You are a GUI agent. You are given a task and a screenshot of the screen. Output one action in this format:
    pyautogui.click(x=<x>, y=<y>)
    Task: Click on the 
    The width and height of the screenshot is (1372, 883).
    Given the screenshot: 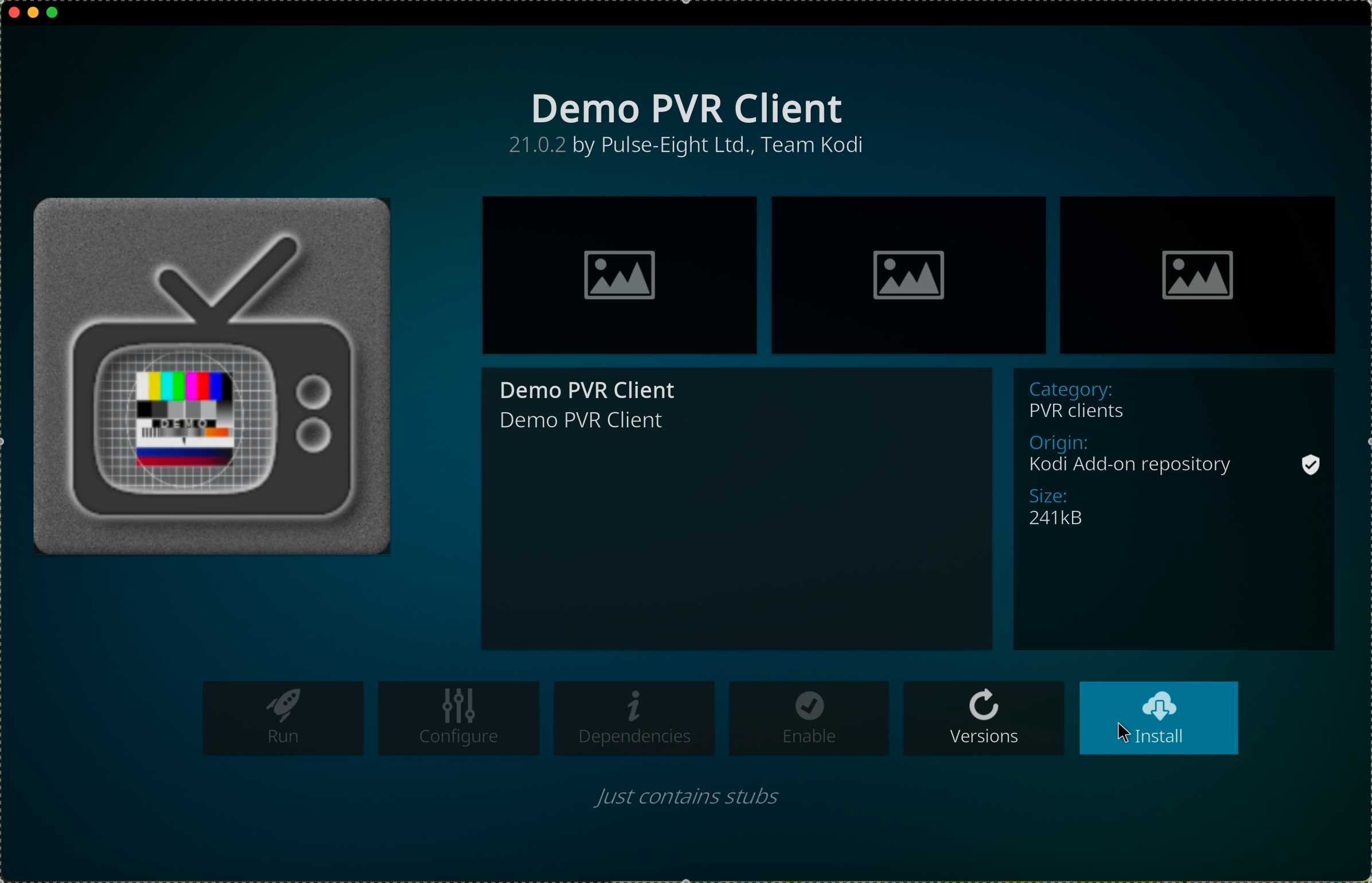 What is the action you would take?
    pyautogui.click(x=982, y=718)
    